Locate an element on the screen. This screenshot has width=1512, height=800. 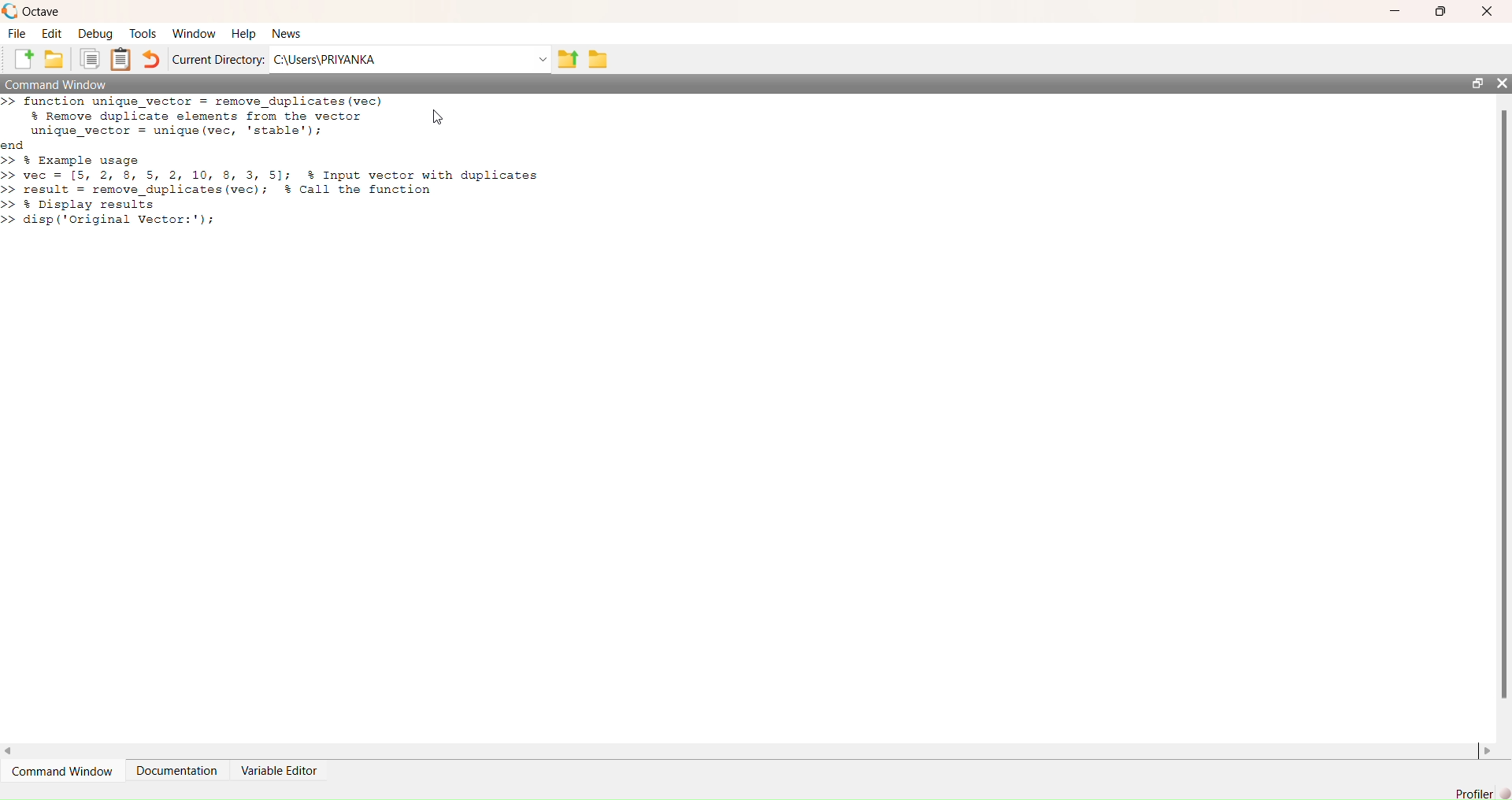
>> function unique vector = remove duplicates (vec)
% Remove duplicate elements from the vector
unique vector = unique (vec, 'stable'); is located at coordinates (195, 116).